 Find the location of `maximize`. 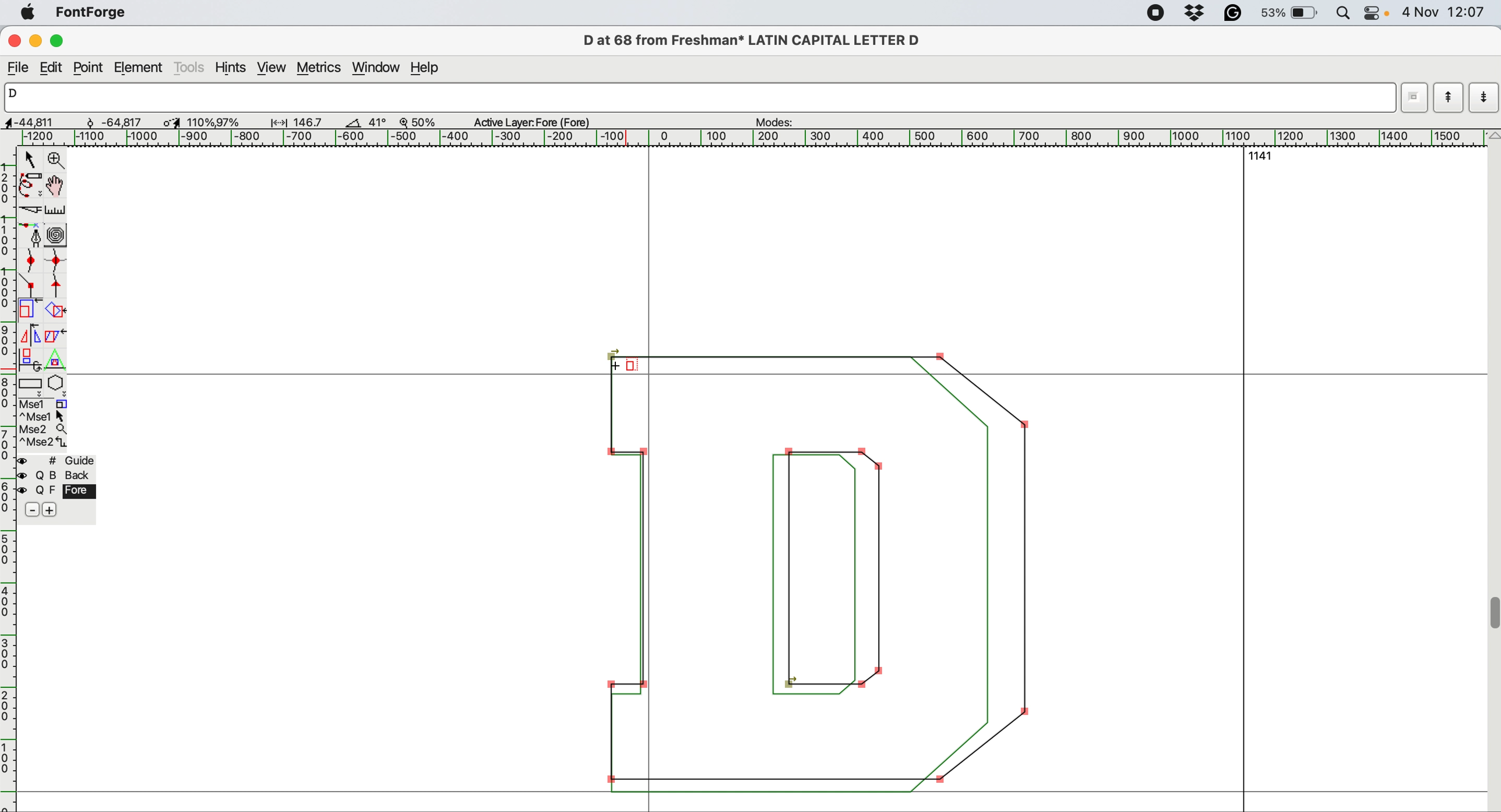

maximize is located at coordinates (61, 41).